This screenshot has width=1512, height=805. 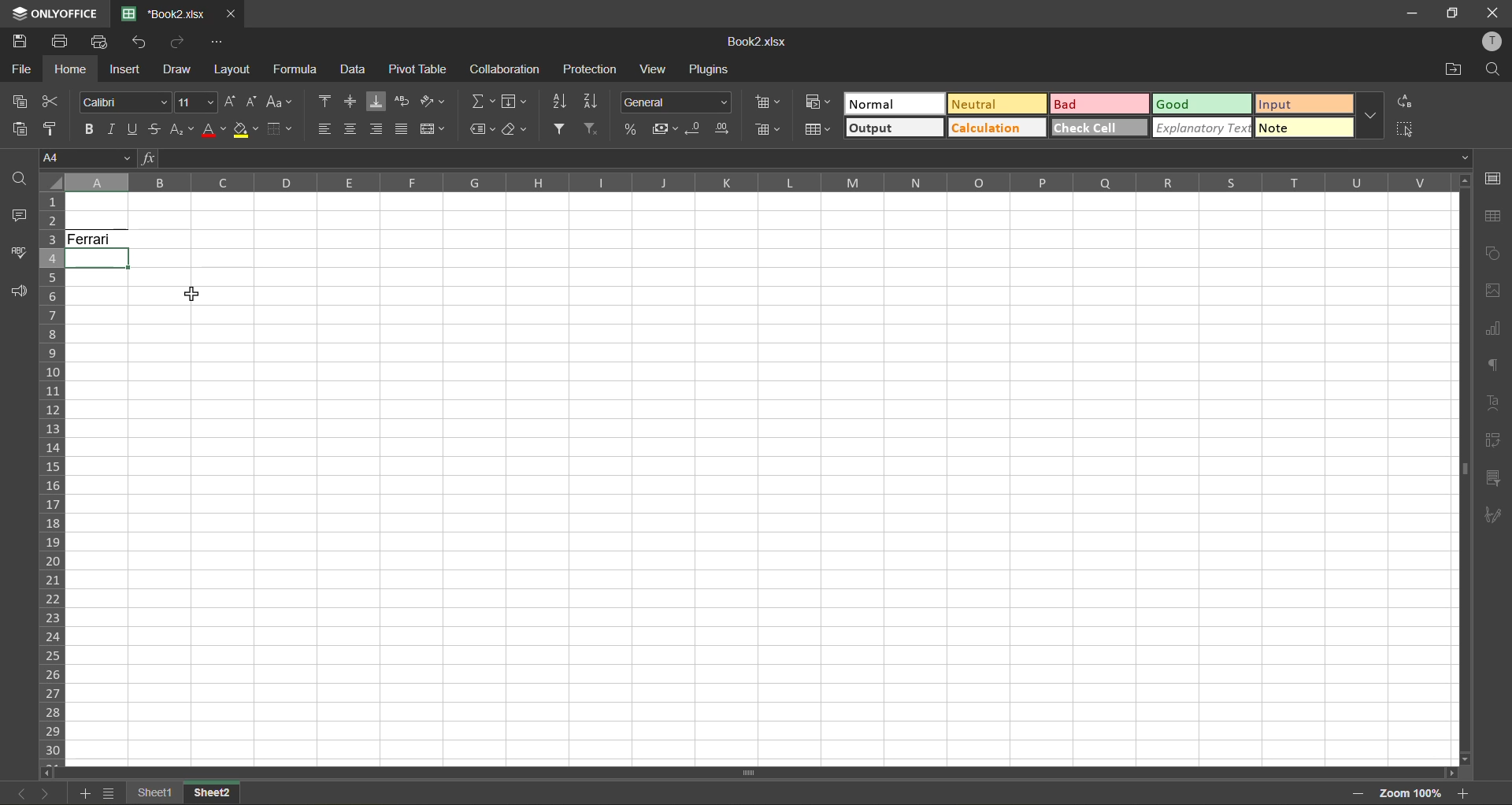 I want to click on copy, so click(x=21, y=101).